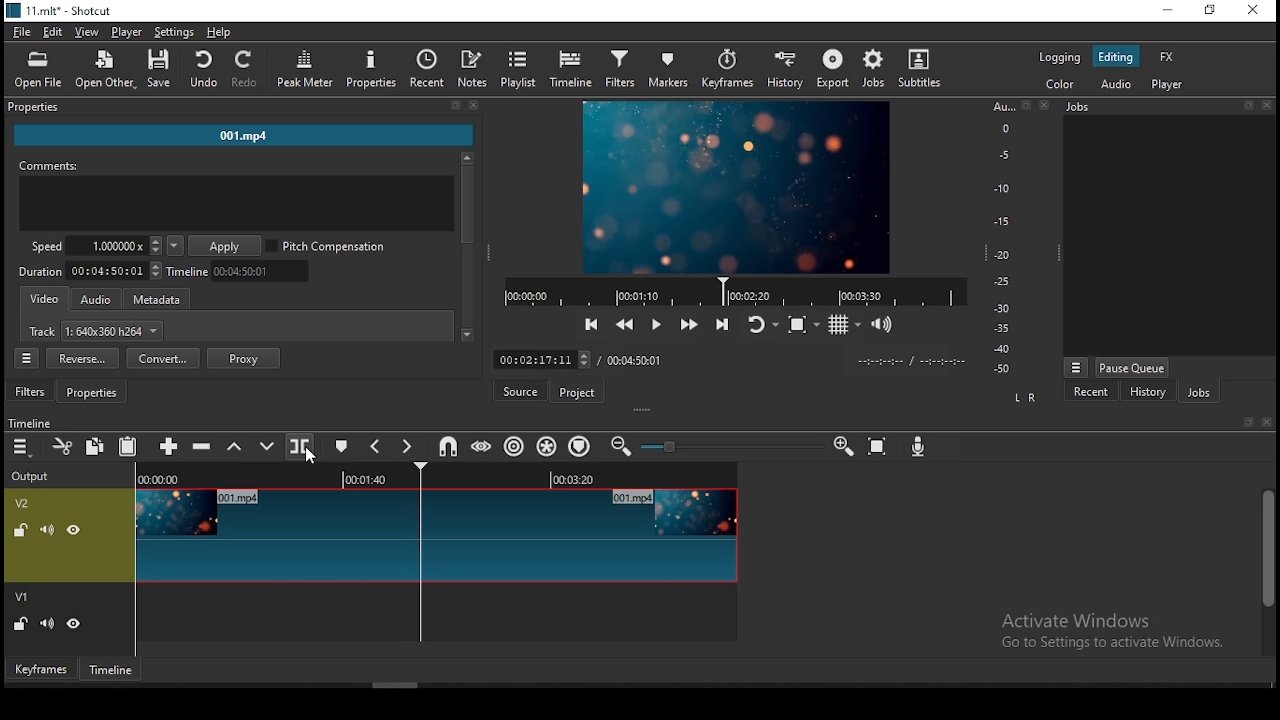 The width and height of the screenshot is (1280, 720). What do you see at coordinates (428, 69) in the screenshot?
I see `recent` at bounding box center [428, 69].